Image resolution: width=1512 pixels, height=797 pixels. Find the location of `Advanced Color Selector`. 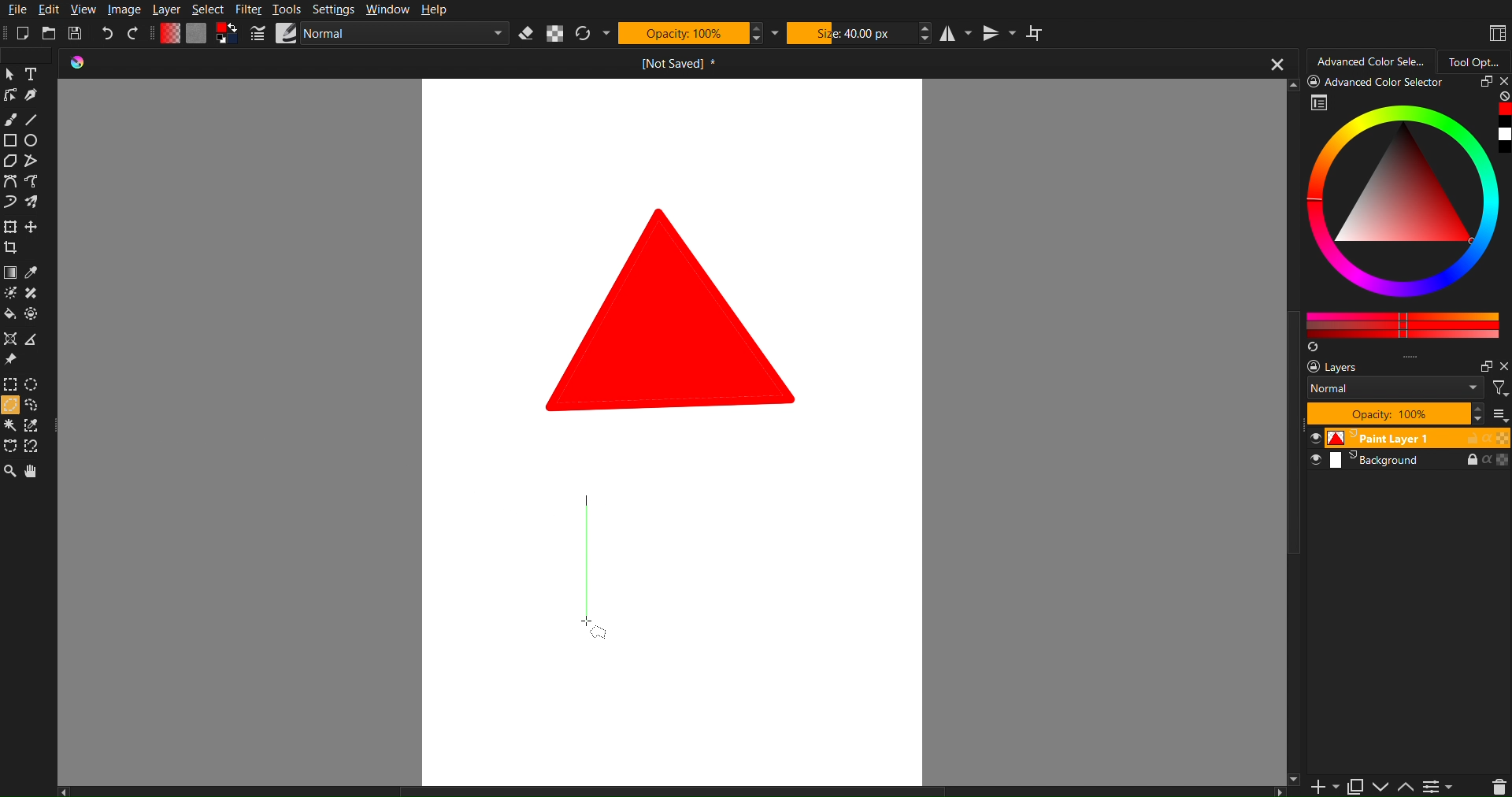

Advanced Color Selector is located at coordinates (1406, 213).